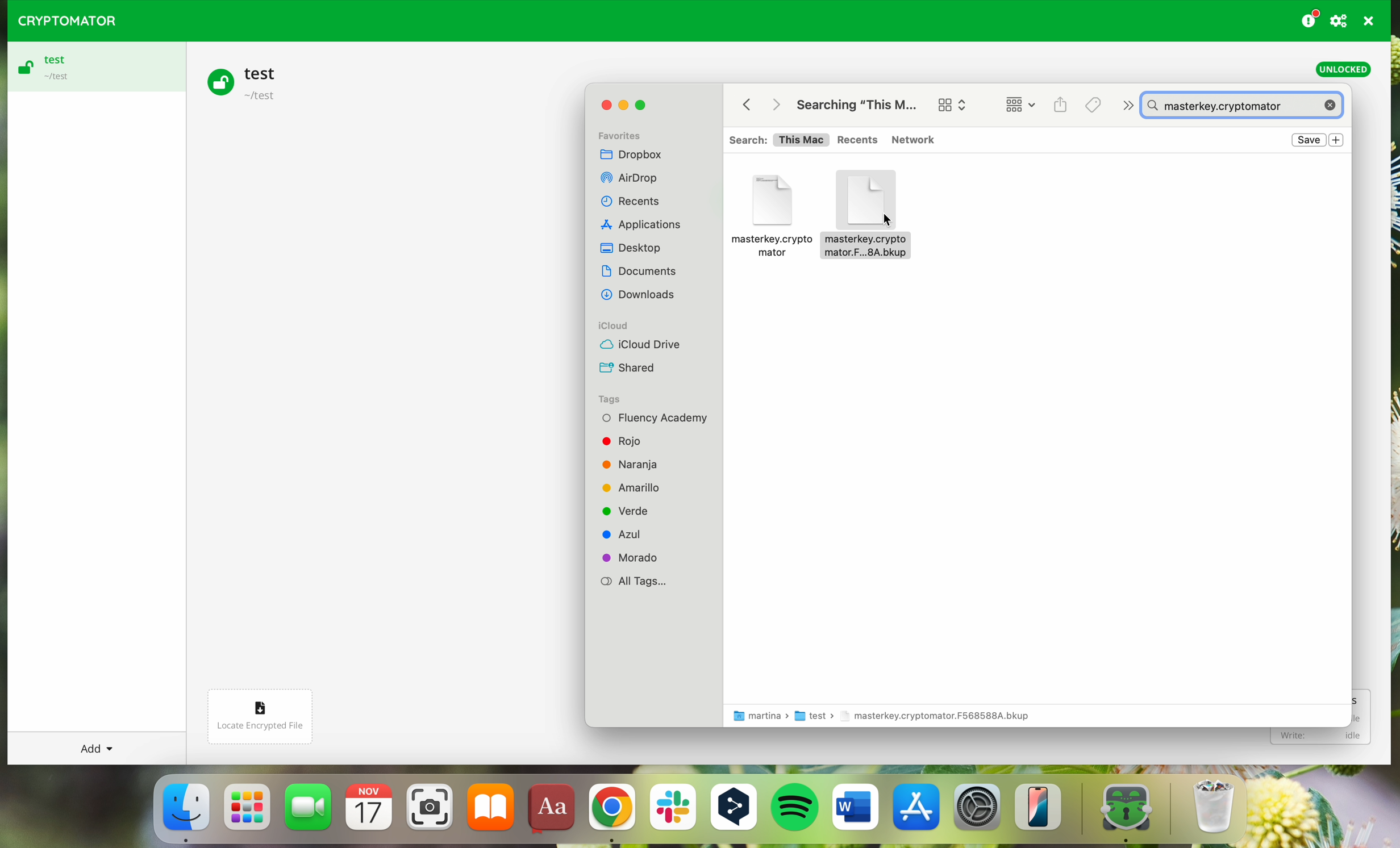  What do you see at coordinates (630, 369) in the screenshot?
I see `Shared` at bounding box center [630, 369].